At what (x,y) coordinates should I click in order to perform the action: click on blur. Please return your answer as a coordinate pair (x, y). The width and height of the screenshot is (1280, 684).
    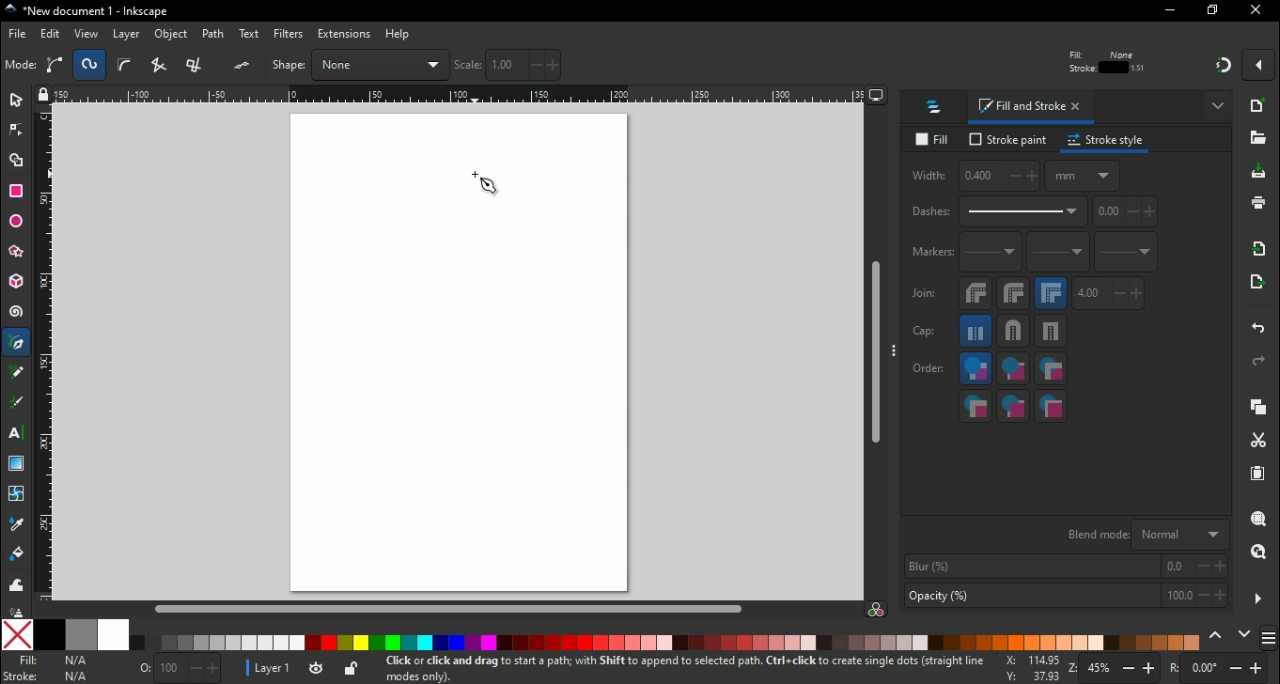
    Looking at the image, I should click on (1067, 566).